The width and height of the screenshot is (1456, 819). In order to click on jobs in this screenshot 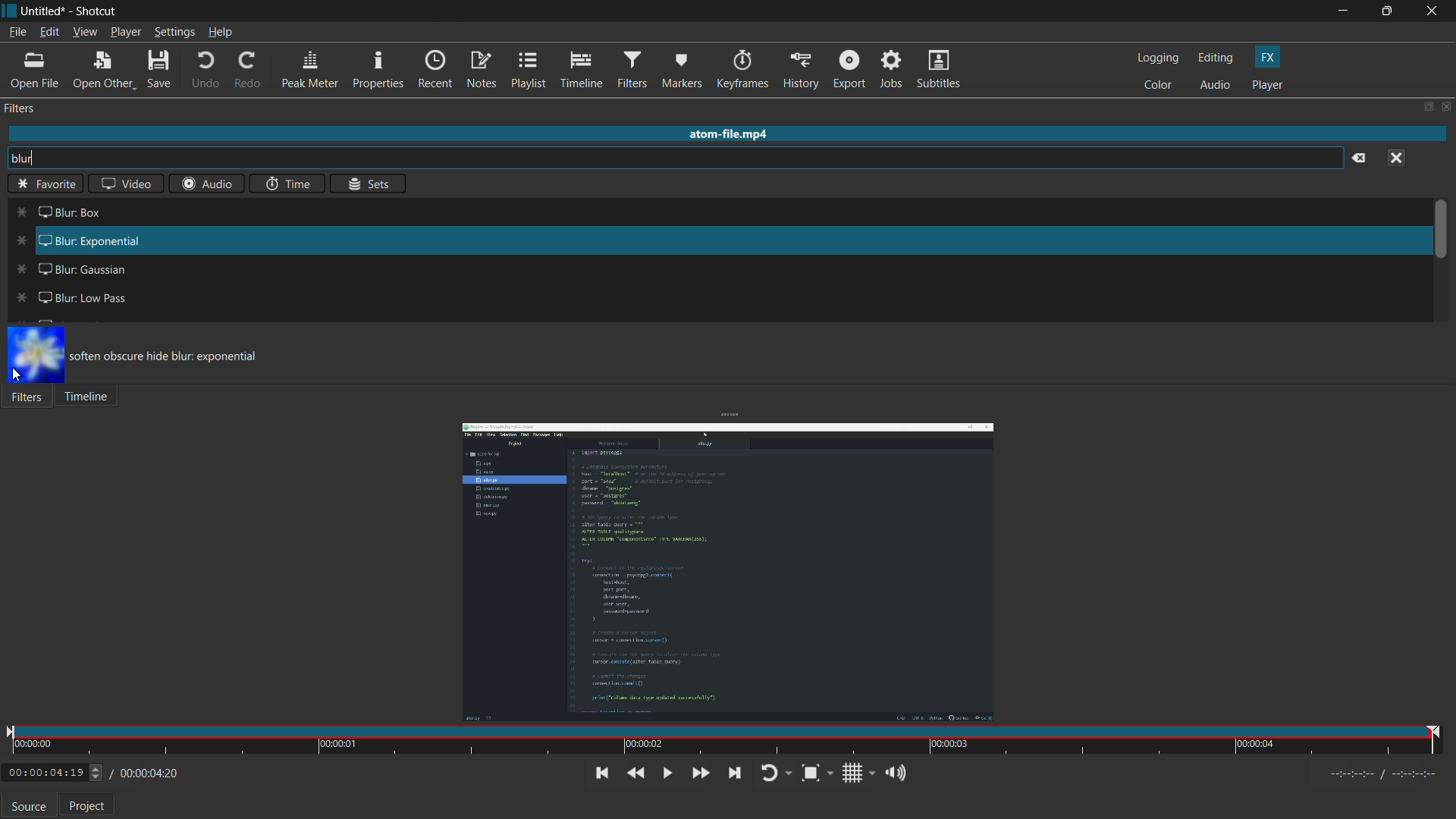, I will do `click(888, 71)`.